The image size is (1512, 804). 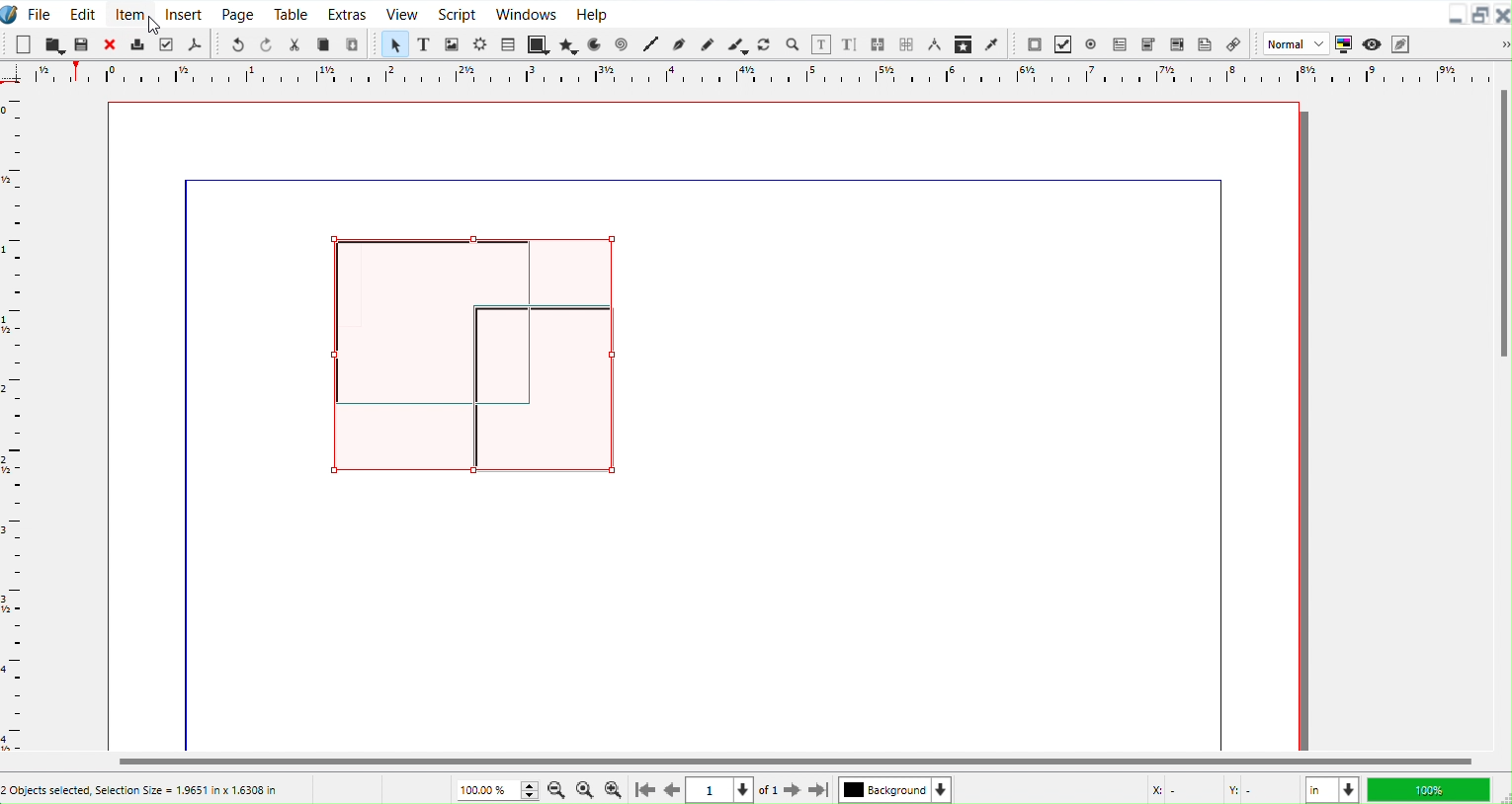 What do you see at coordinates (539, 43) in the screenshot?
I see `Shape ` at bounding box center [539, 43].